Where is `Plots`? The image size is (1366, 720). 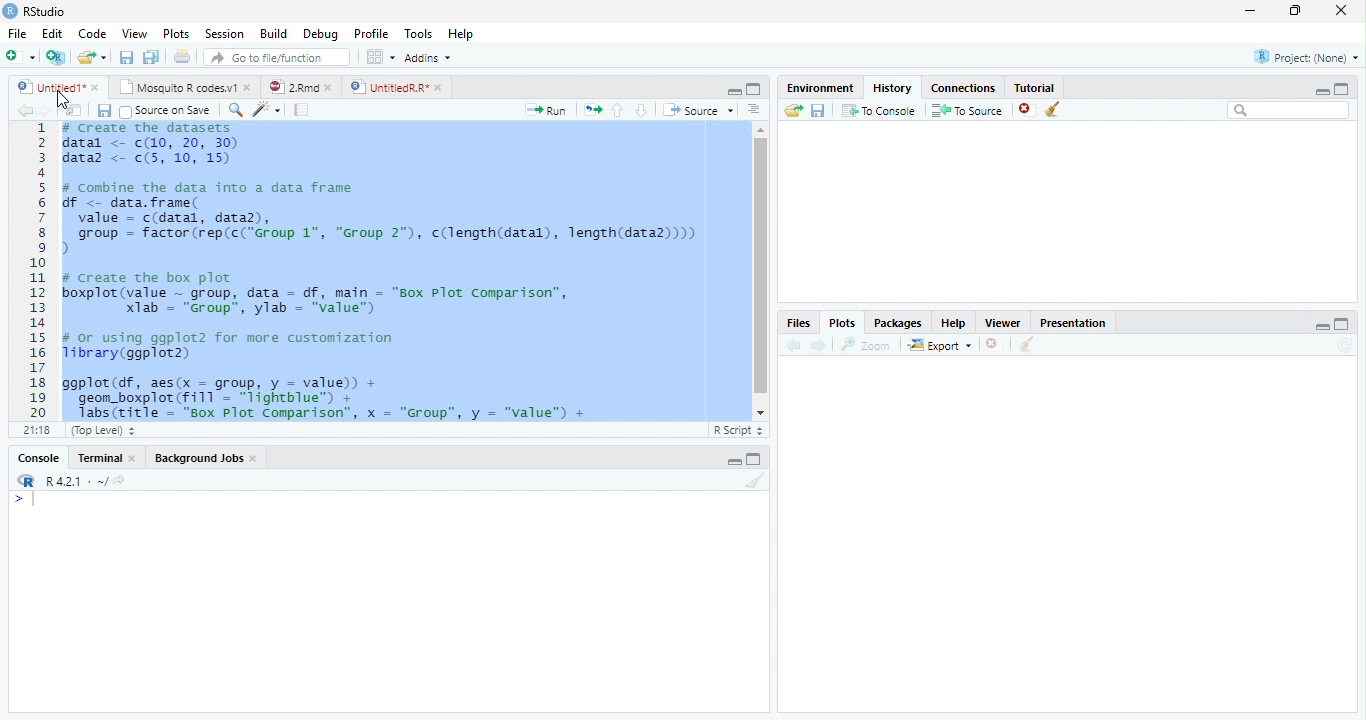
Plots is located at coordinates (174, 33).